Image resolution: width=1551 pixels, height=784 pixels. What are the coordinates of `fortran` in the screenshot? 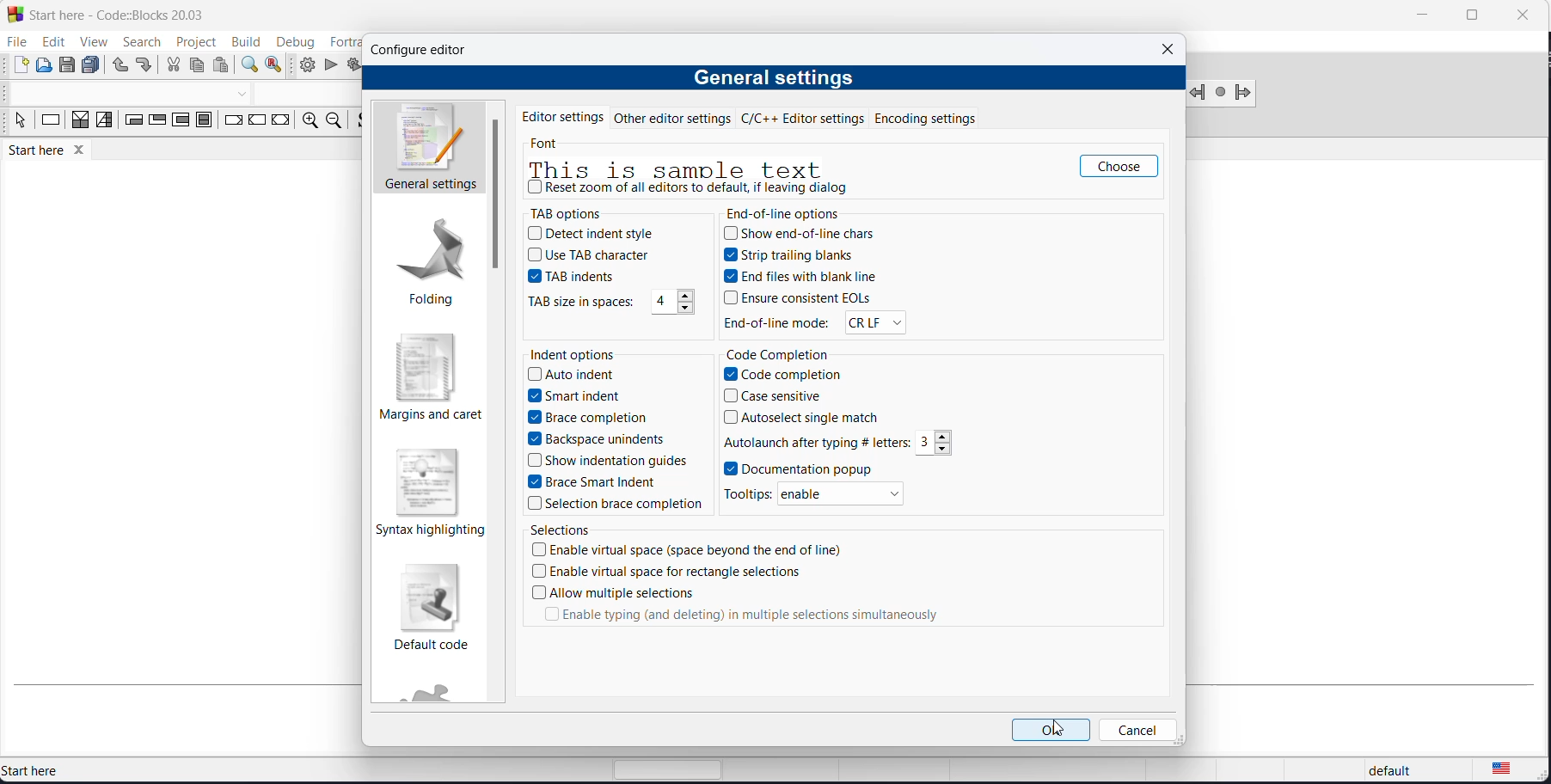 It's located at (438, 695).